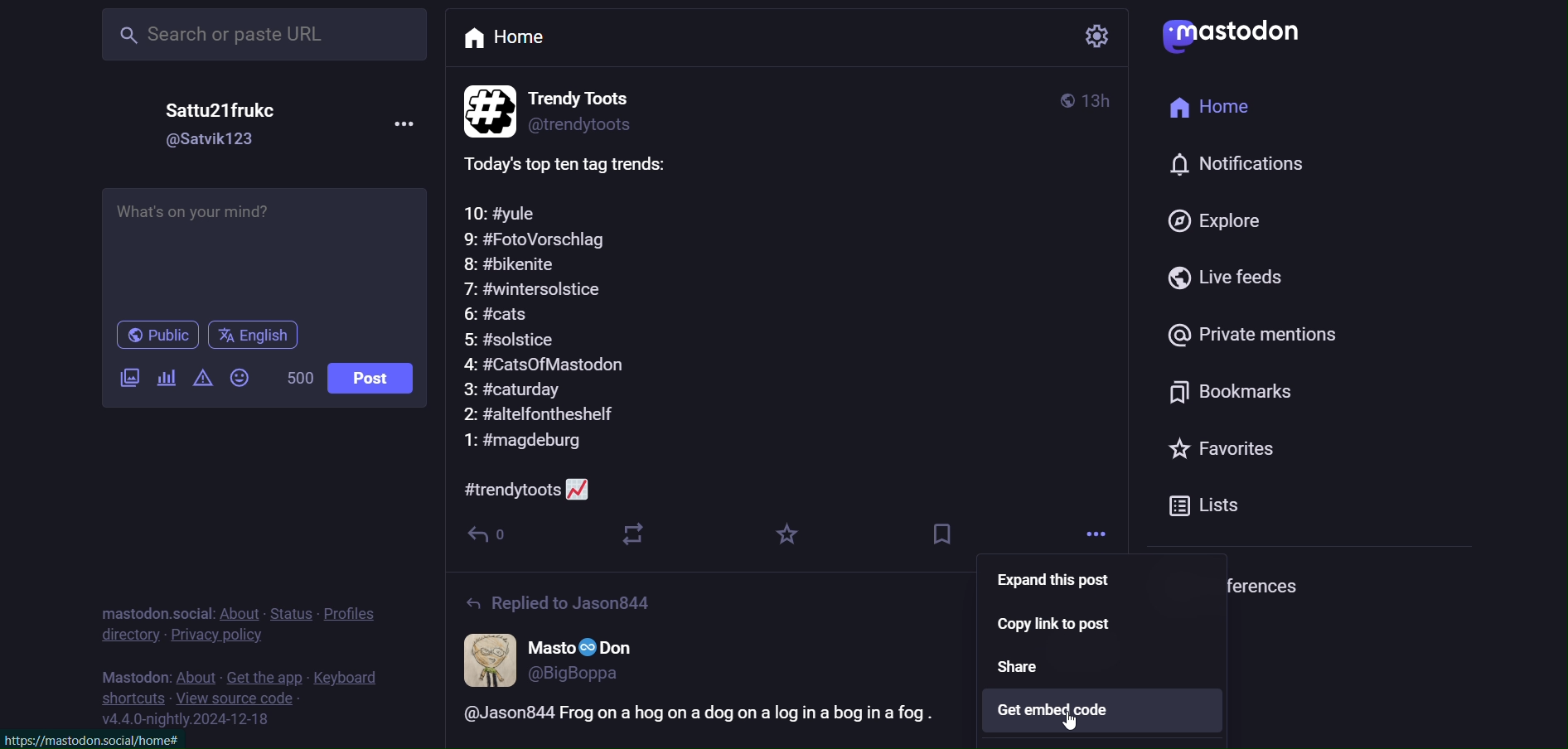  Describe the element at coordinates (164, 383) in the screenshot. I see `add a poll` at that location.